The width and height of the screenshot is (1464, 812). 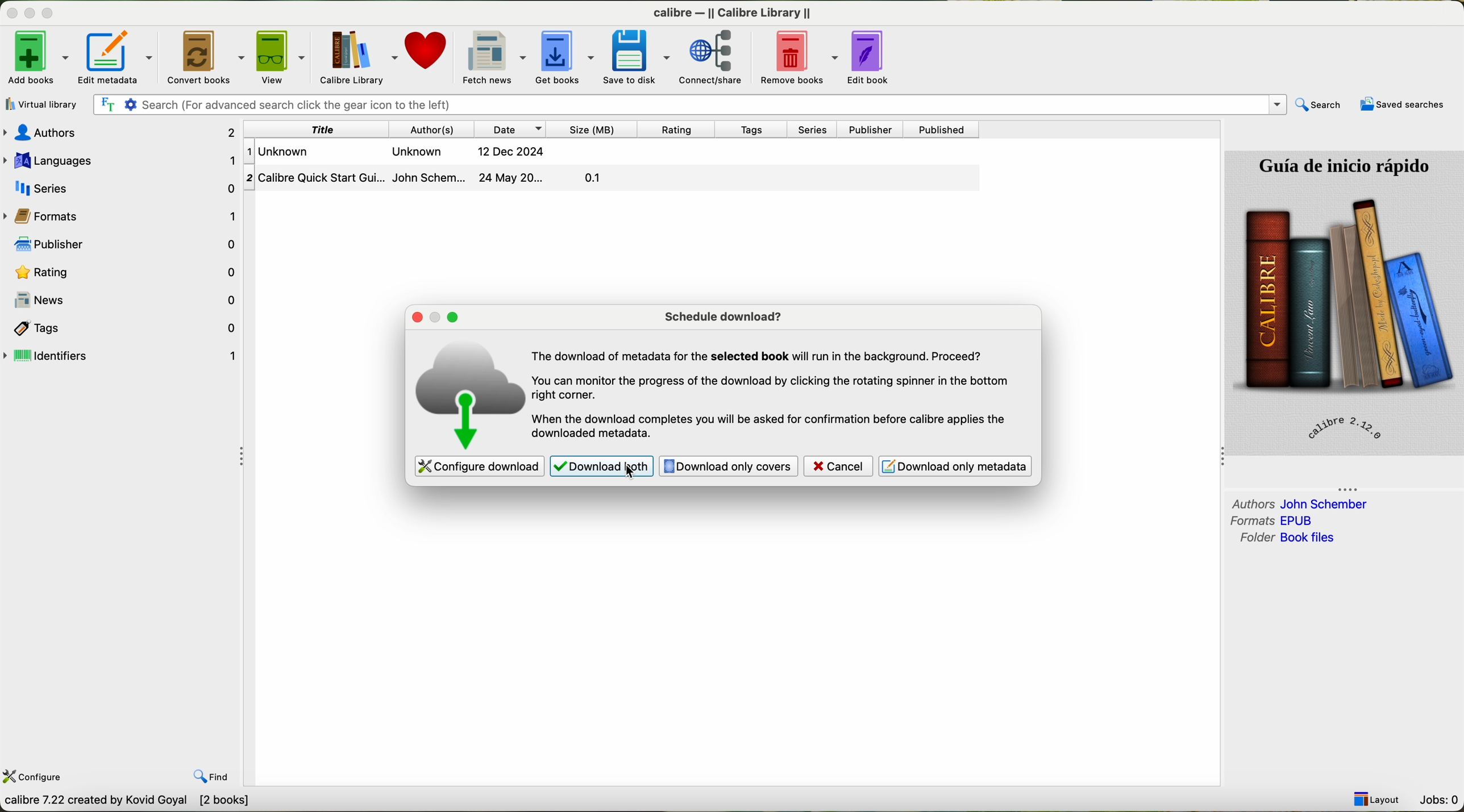 I want to click on size, so click(x=593, y=129).